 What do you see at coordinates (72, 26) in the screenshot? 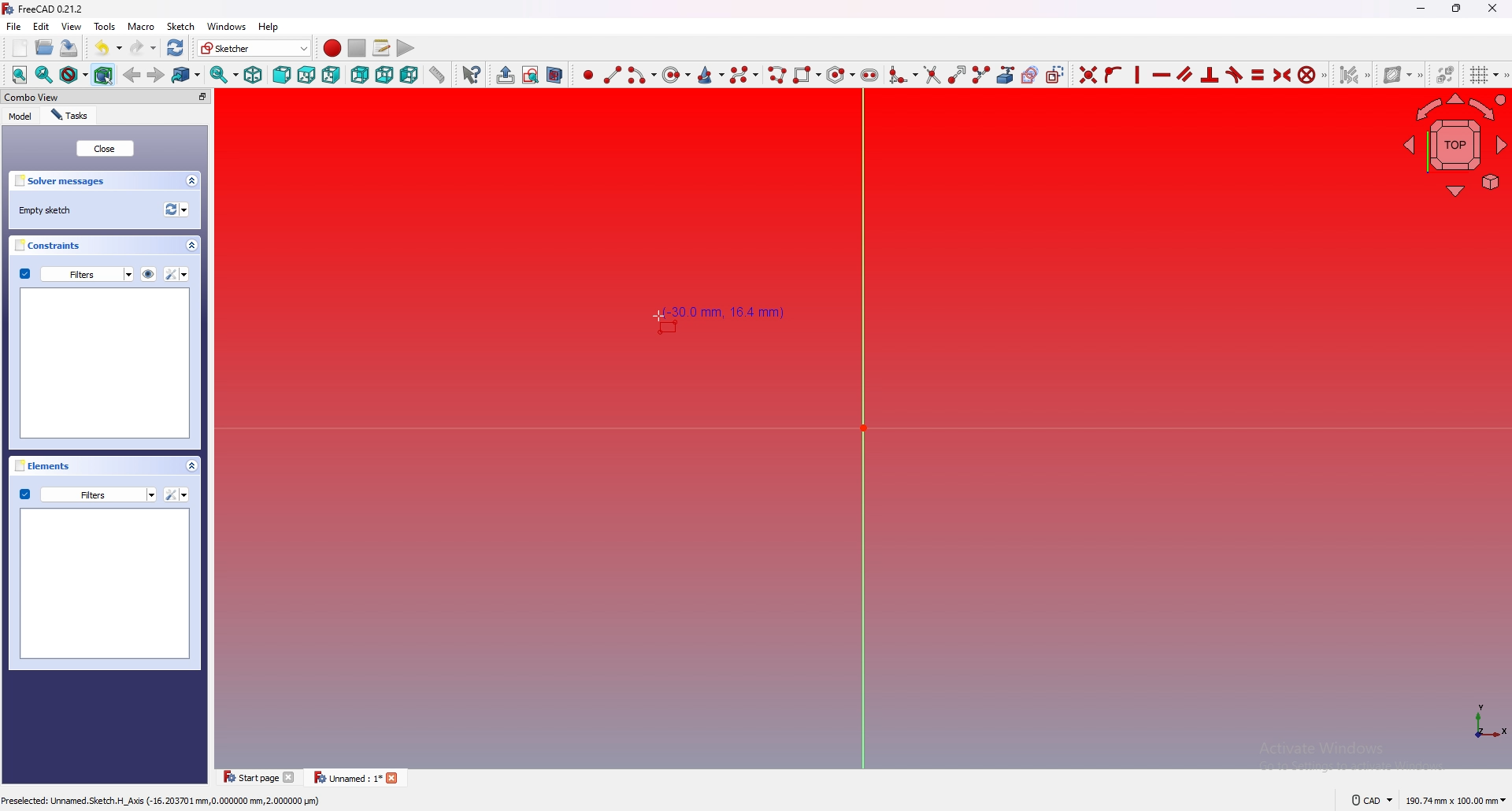
I see `view` at bounding box center [72, 26].